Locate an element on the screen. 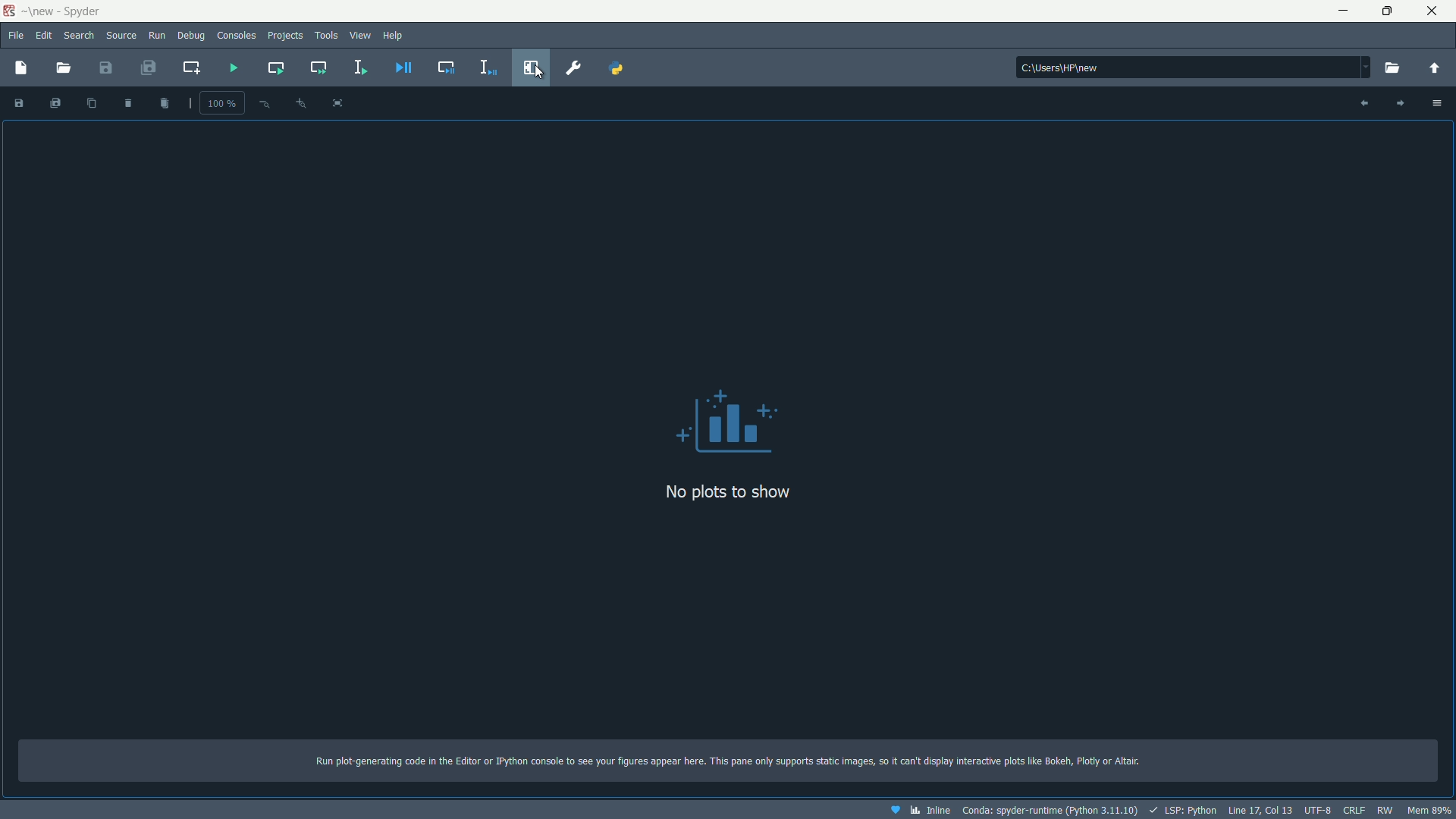 The image size is (1456, 819). add cell to the current line is located at coordinates (193, 66).